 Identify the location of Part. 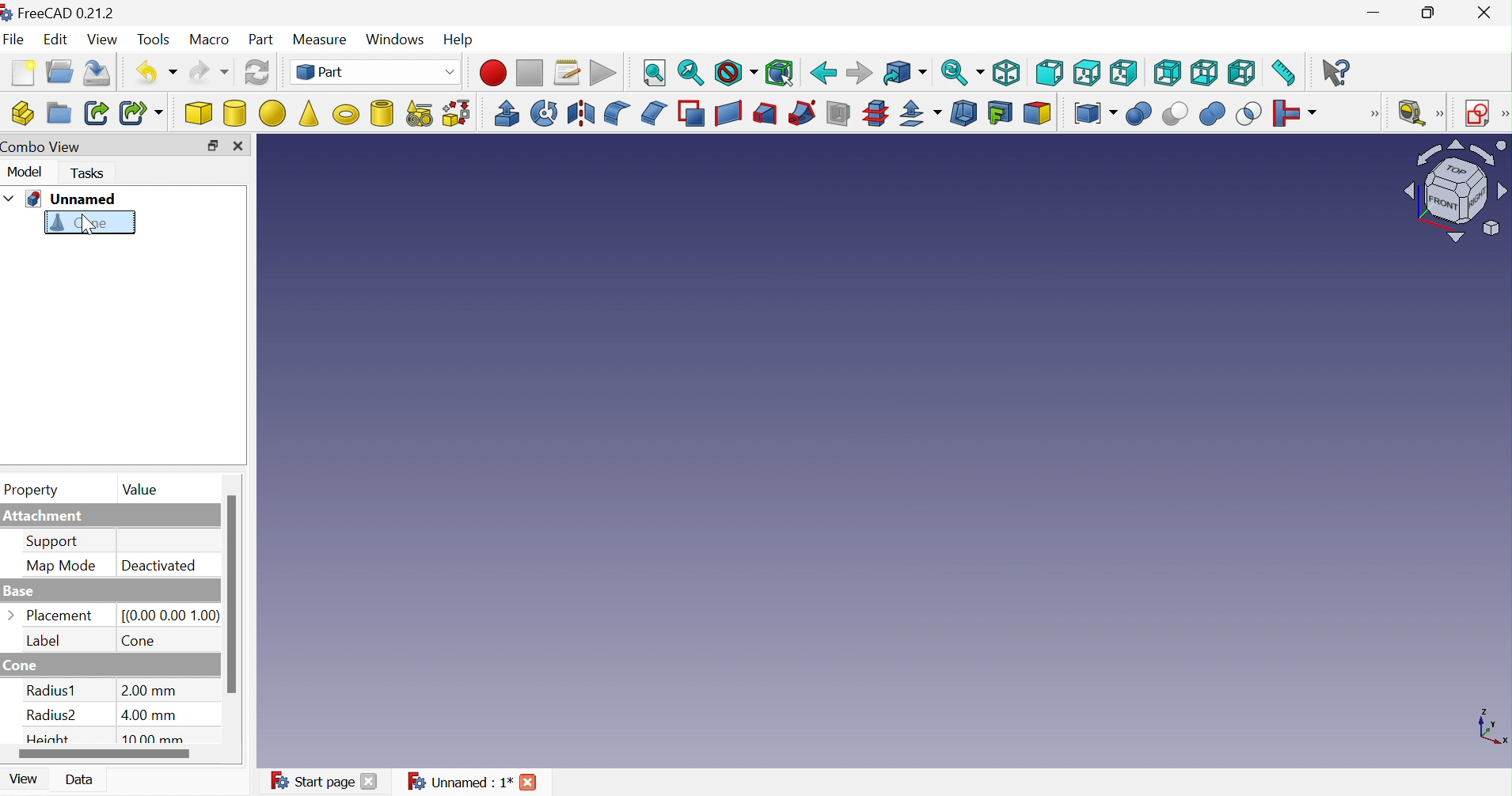
(376, 72).